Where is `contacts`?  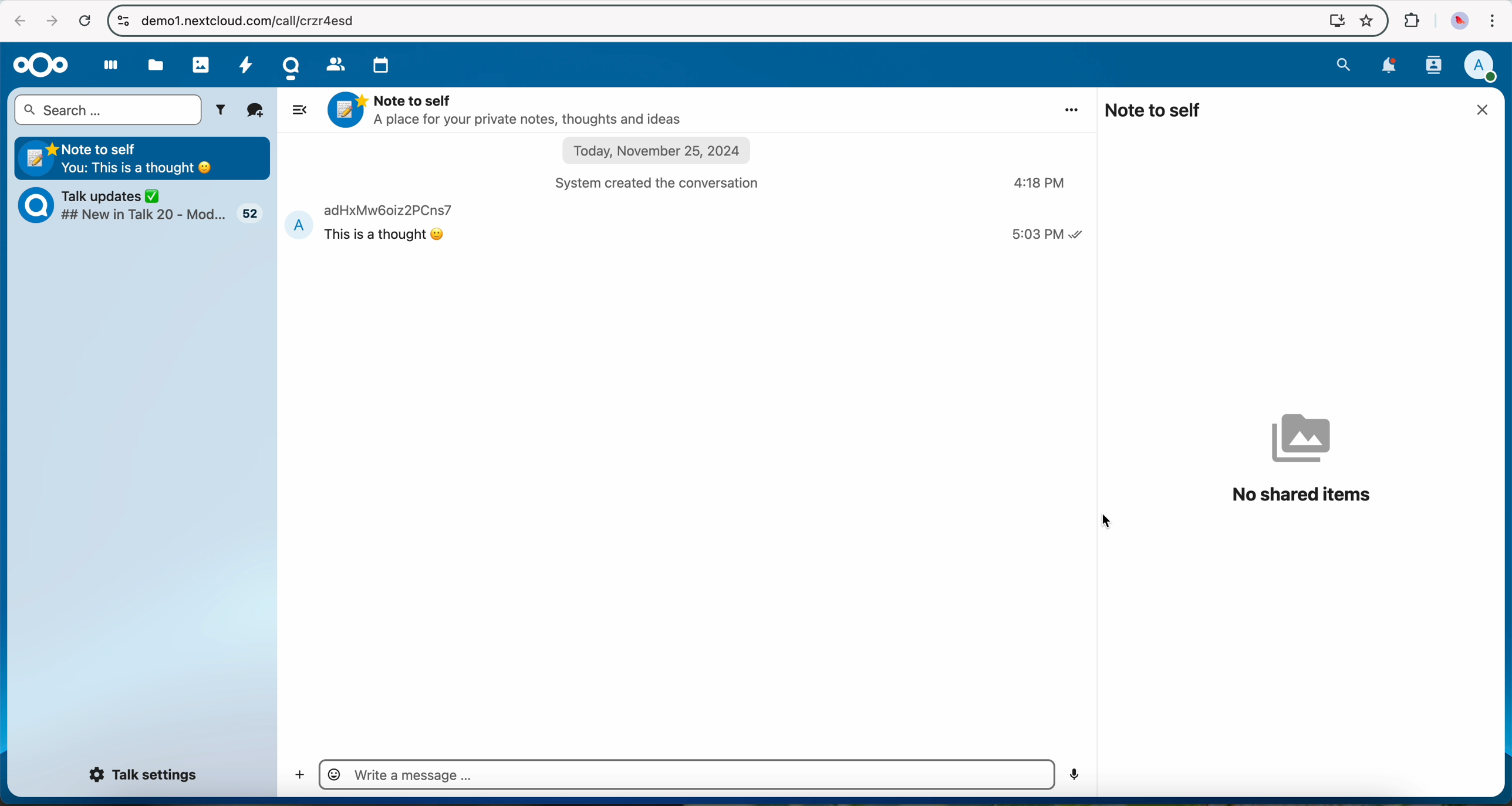 contacts is located at coordinates (1435, 66).